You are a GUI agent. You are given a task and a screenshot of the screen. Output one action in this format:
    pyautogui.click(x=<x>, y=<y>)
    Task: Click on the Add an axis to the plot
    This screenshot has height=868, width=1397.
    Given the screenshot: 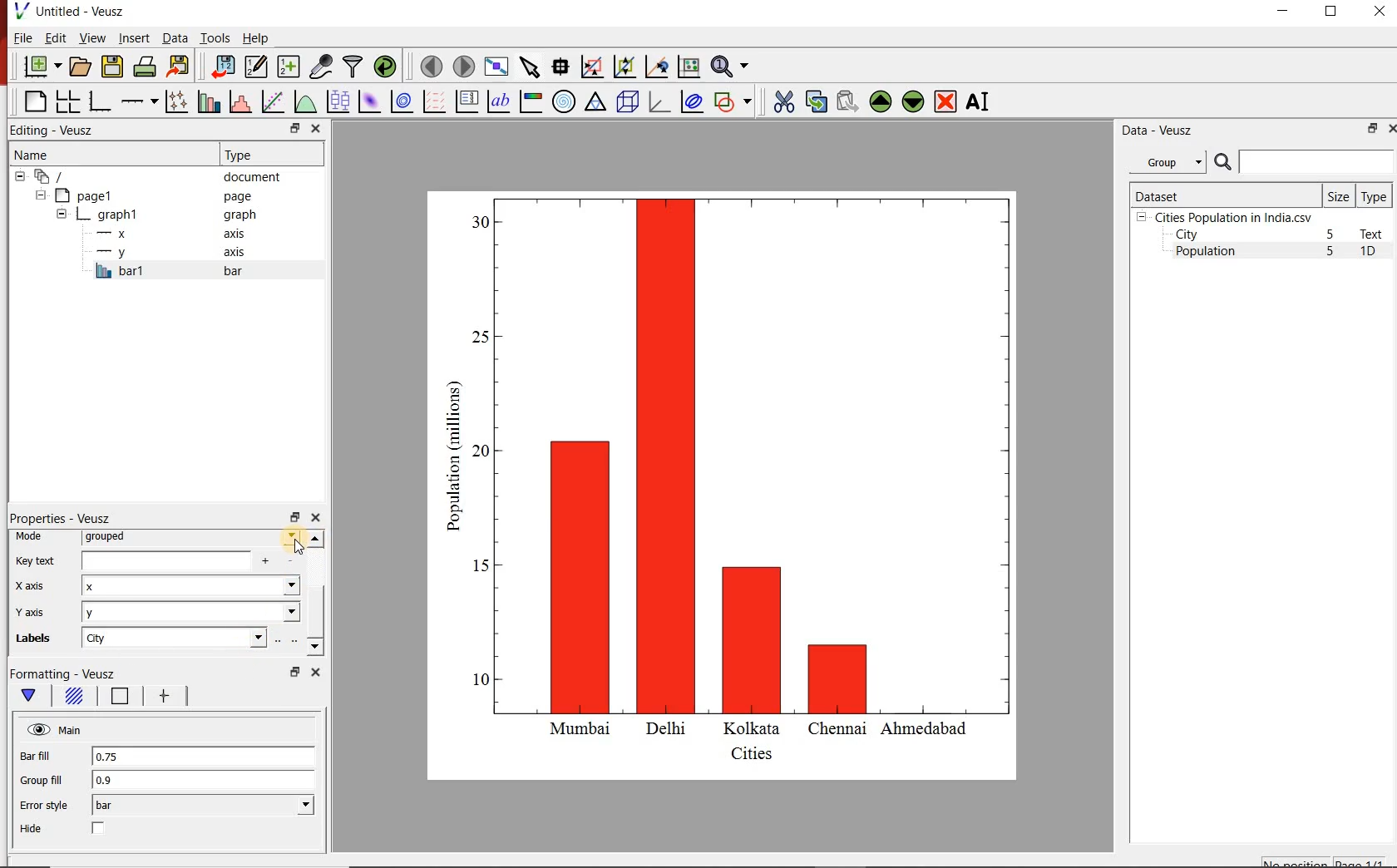 What is the action you would take?
    pyautogui.click(x=139, y=99)
    